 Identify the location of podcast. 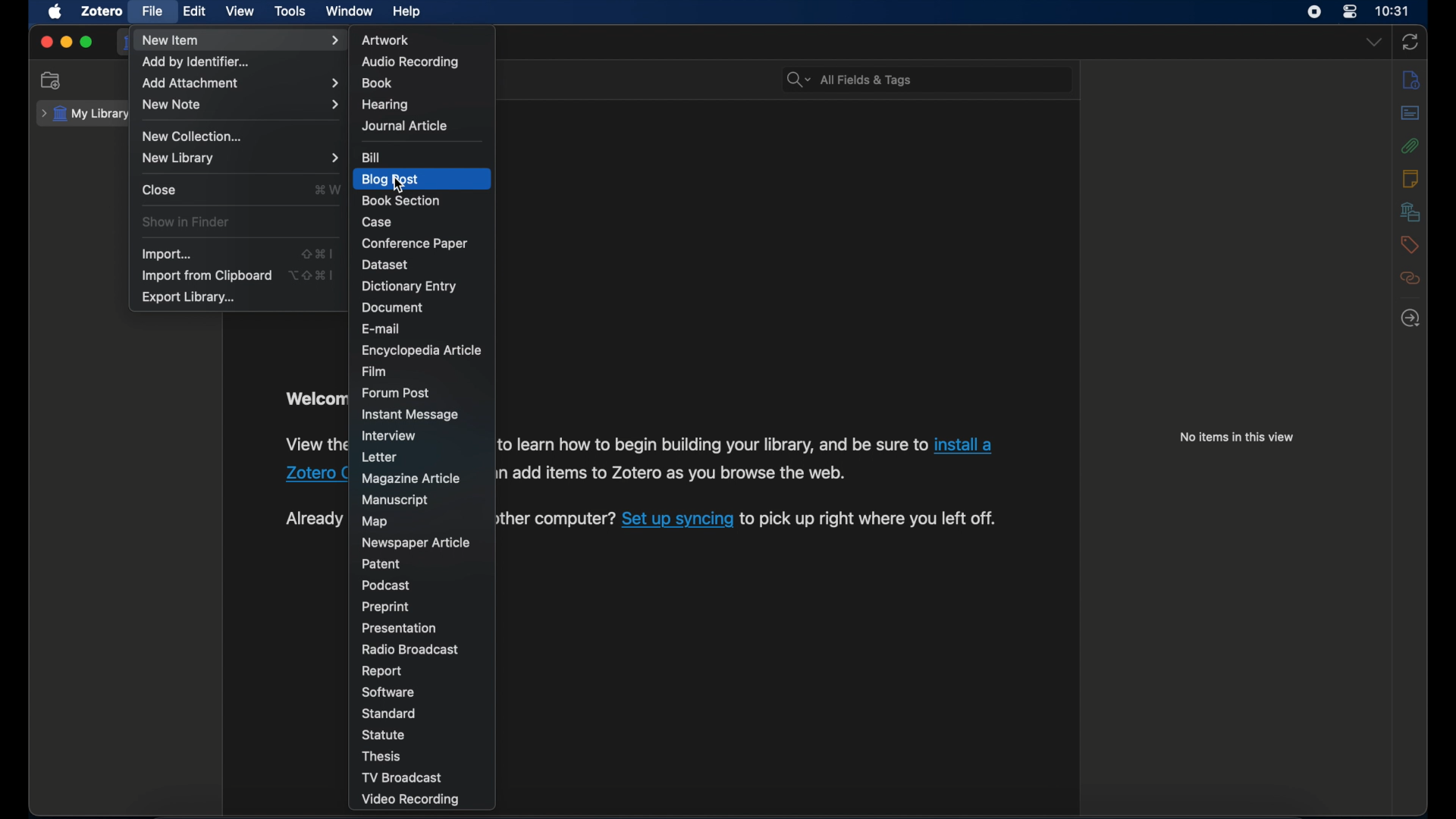
(386, 585).